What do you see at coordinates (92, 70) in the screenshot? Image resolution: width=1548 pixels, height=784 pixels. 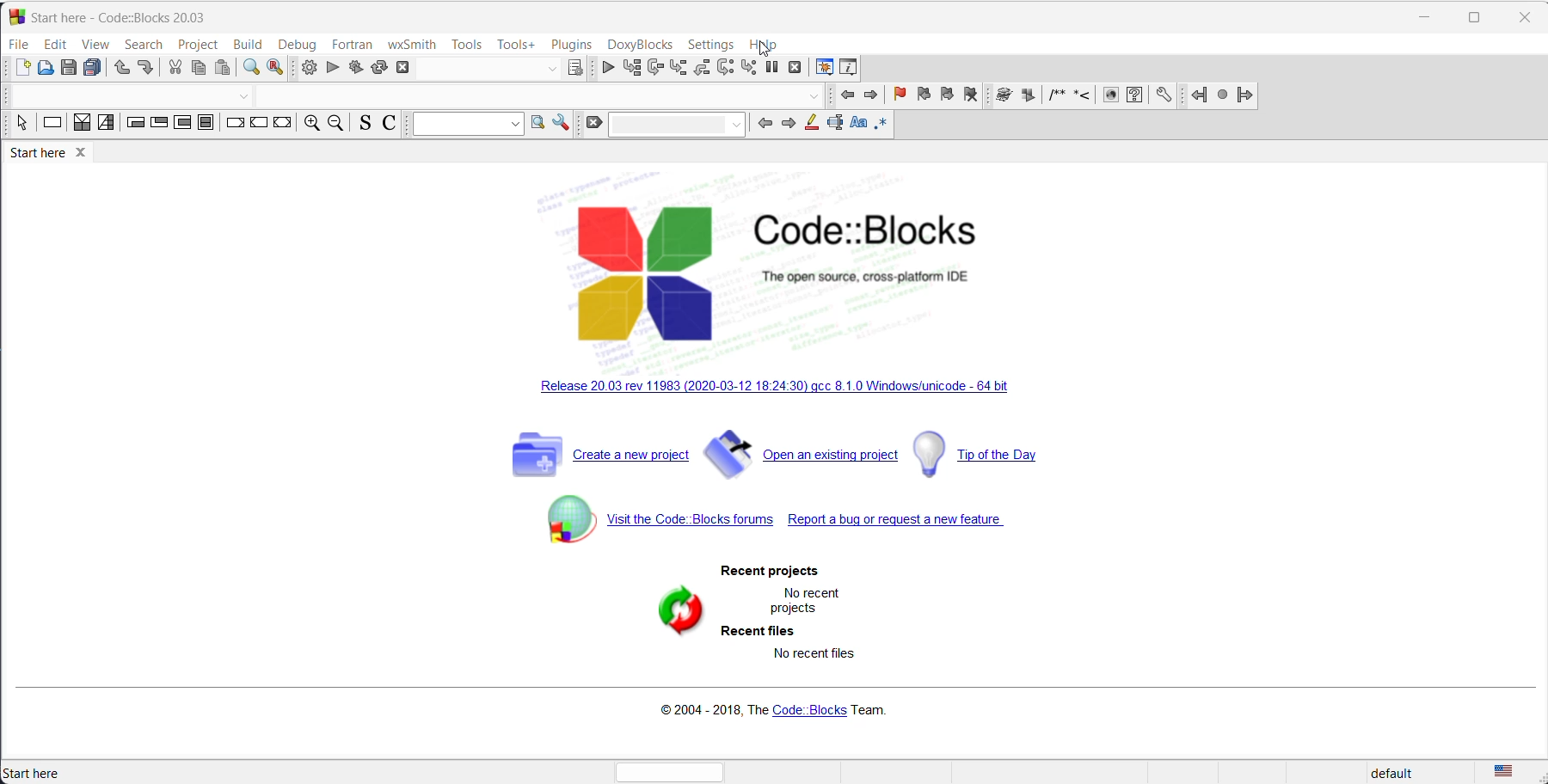 I see `save all` at bounding box center [92, 70].